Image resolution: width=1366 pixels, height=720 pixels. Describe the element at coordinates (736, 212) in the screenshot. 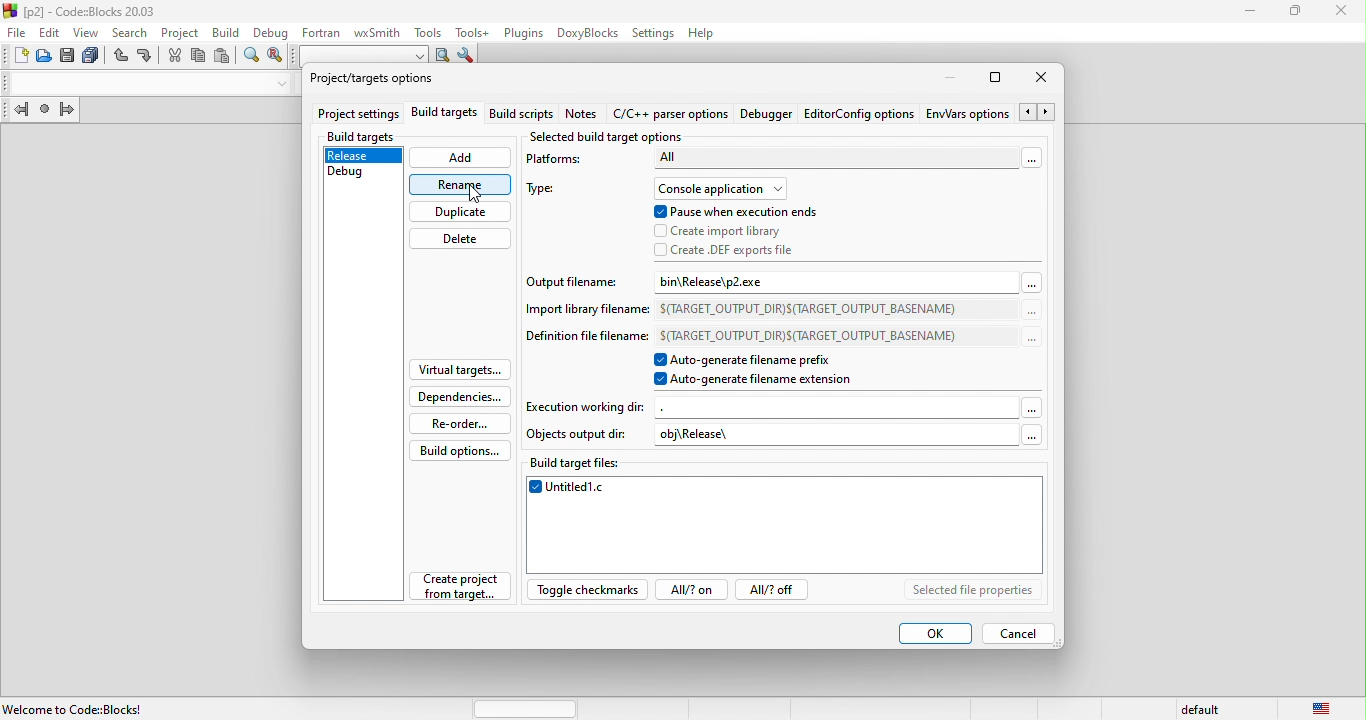

I see `pause when execution ends` at that location.